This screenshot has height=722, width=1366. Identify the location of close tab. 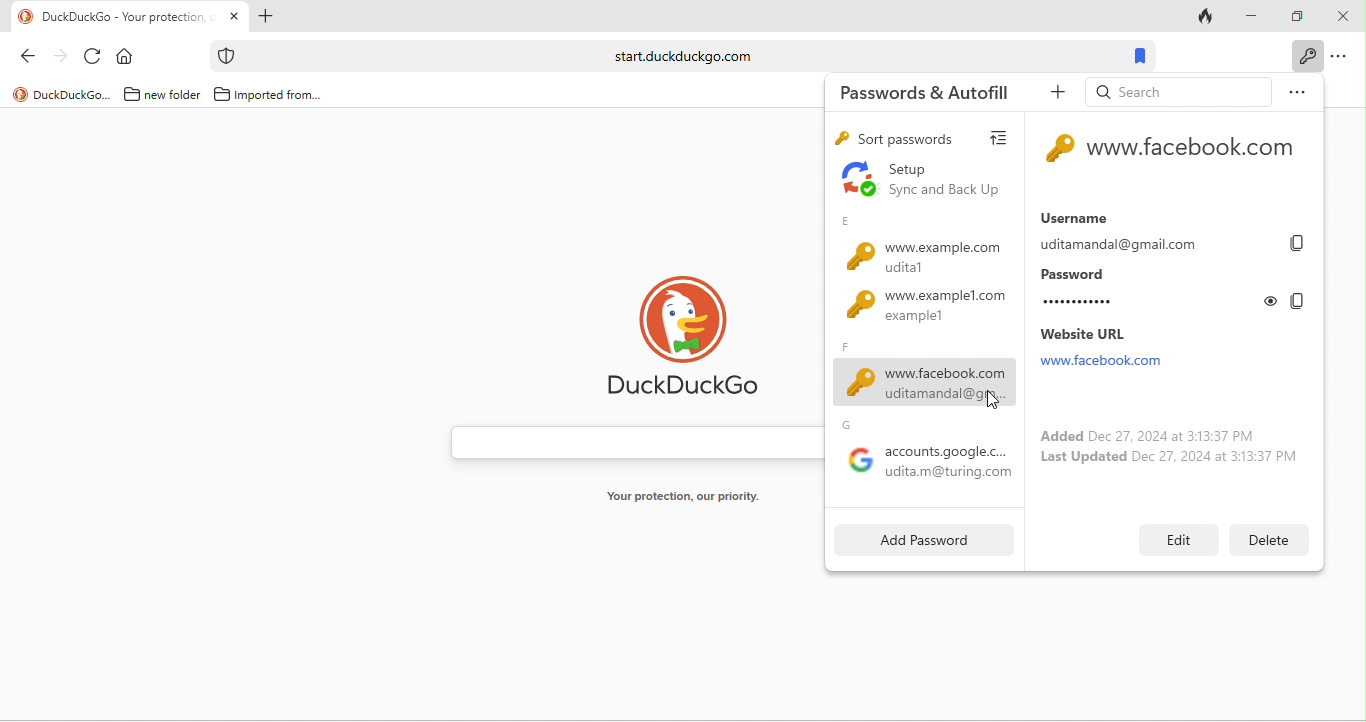
(235, 16).